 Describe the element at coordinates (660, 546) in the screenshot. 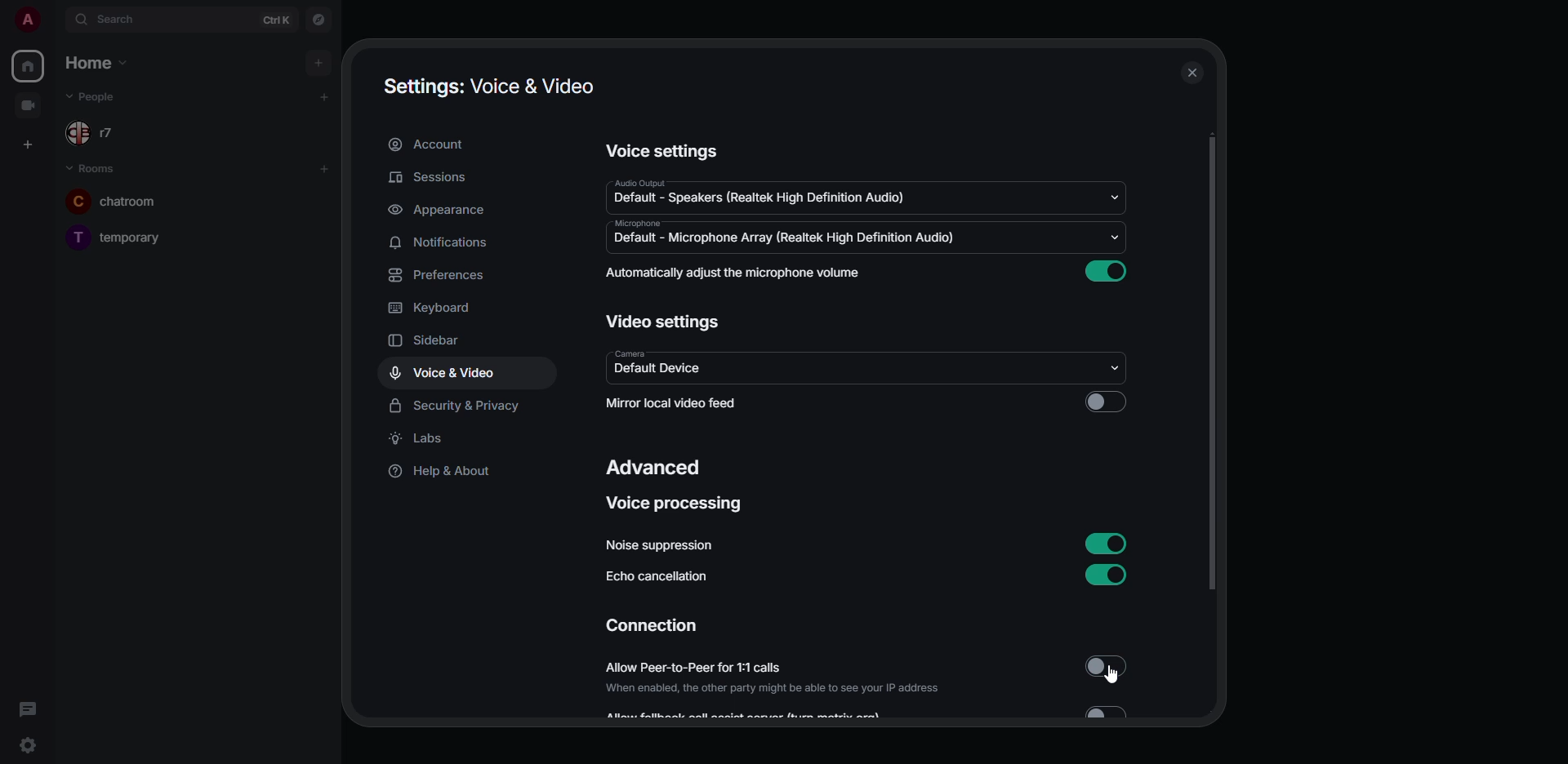

I see `noise suppression` at that location.